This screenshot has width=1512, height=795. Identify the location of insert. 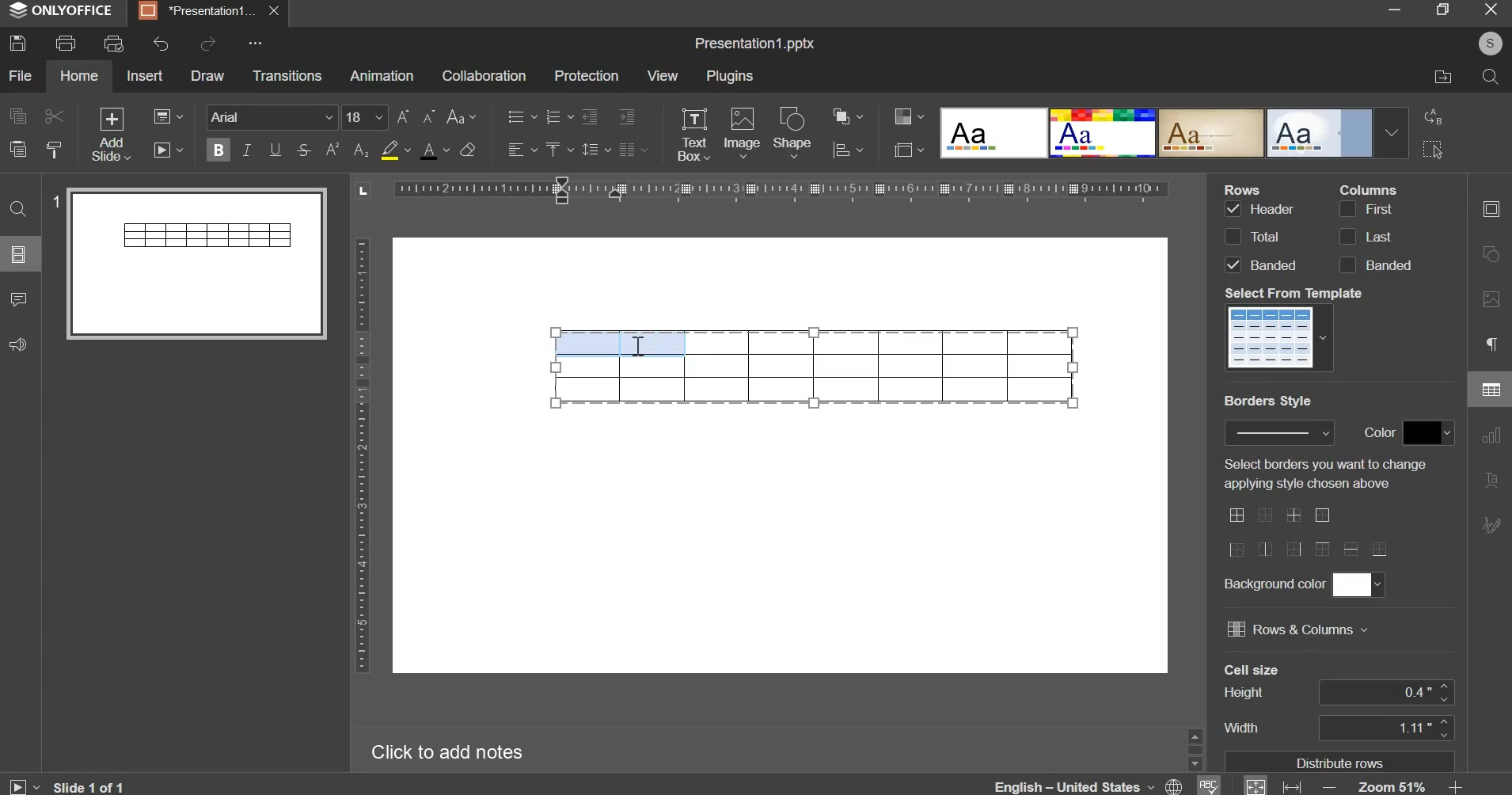
(145, 74).